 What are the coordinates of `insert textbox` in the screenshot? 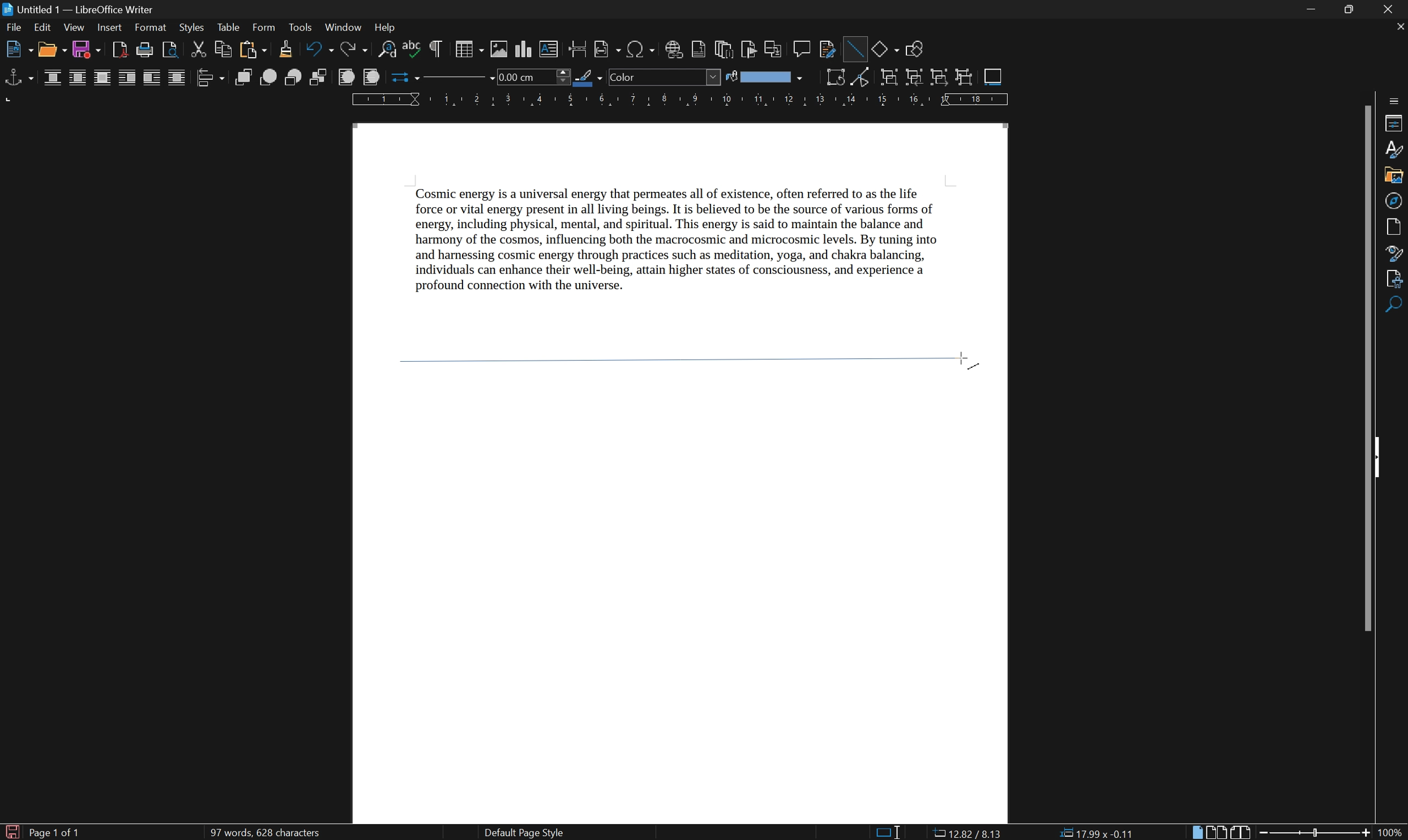 It's located at (549, 48).